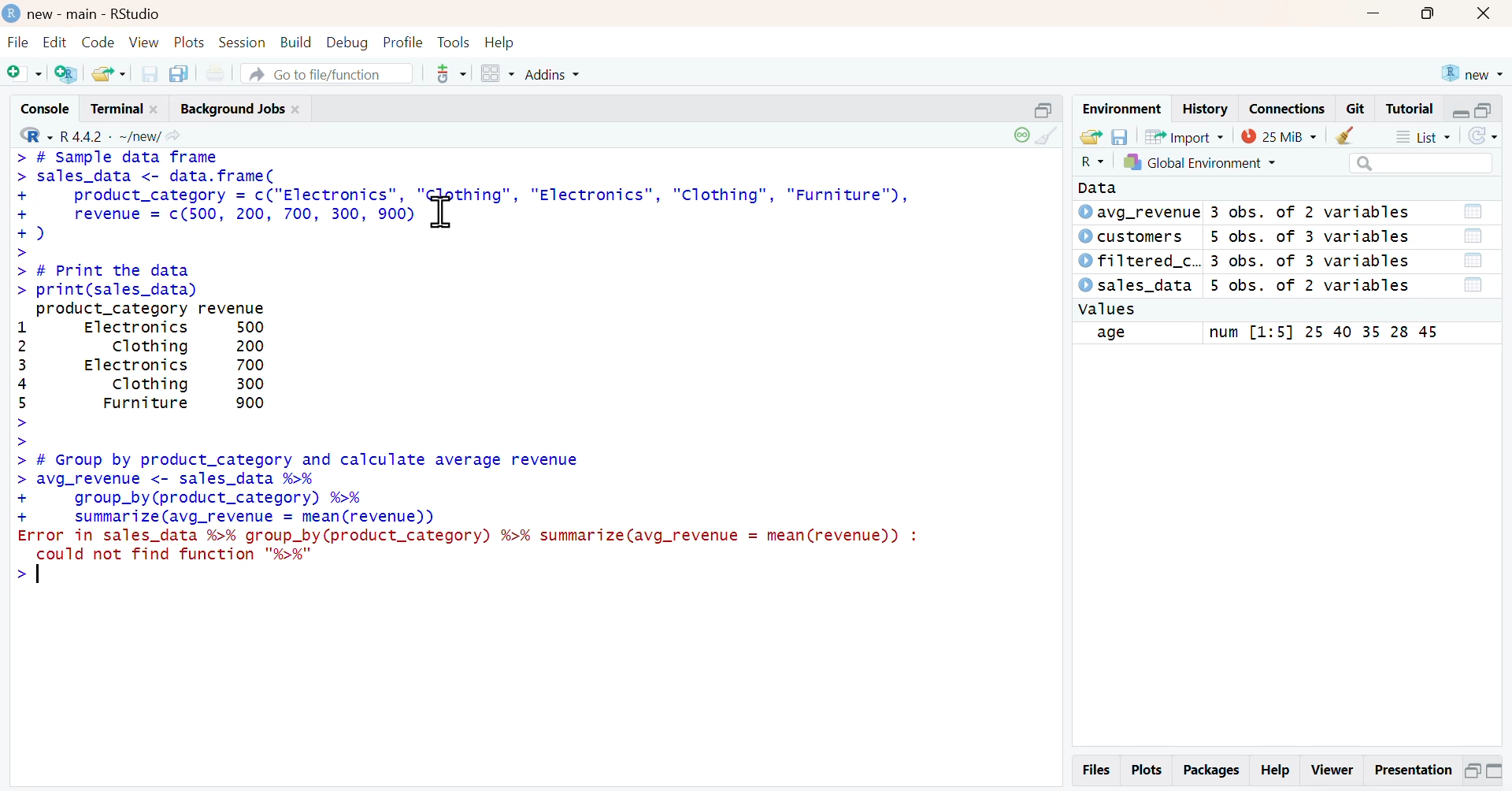 This screenshot has width=1512, height=791. I want to click on Open an Existing File, so click(108, 74).